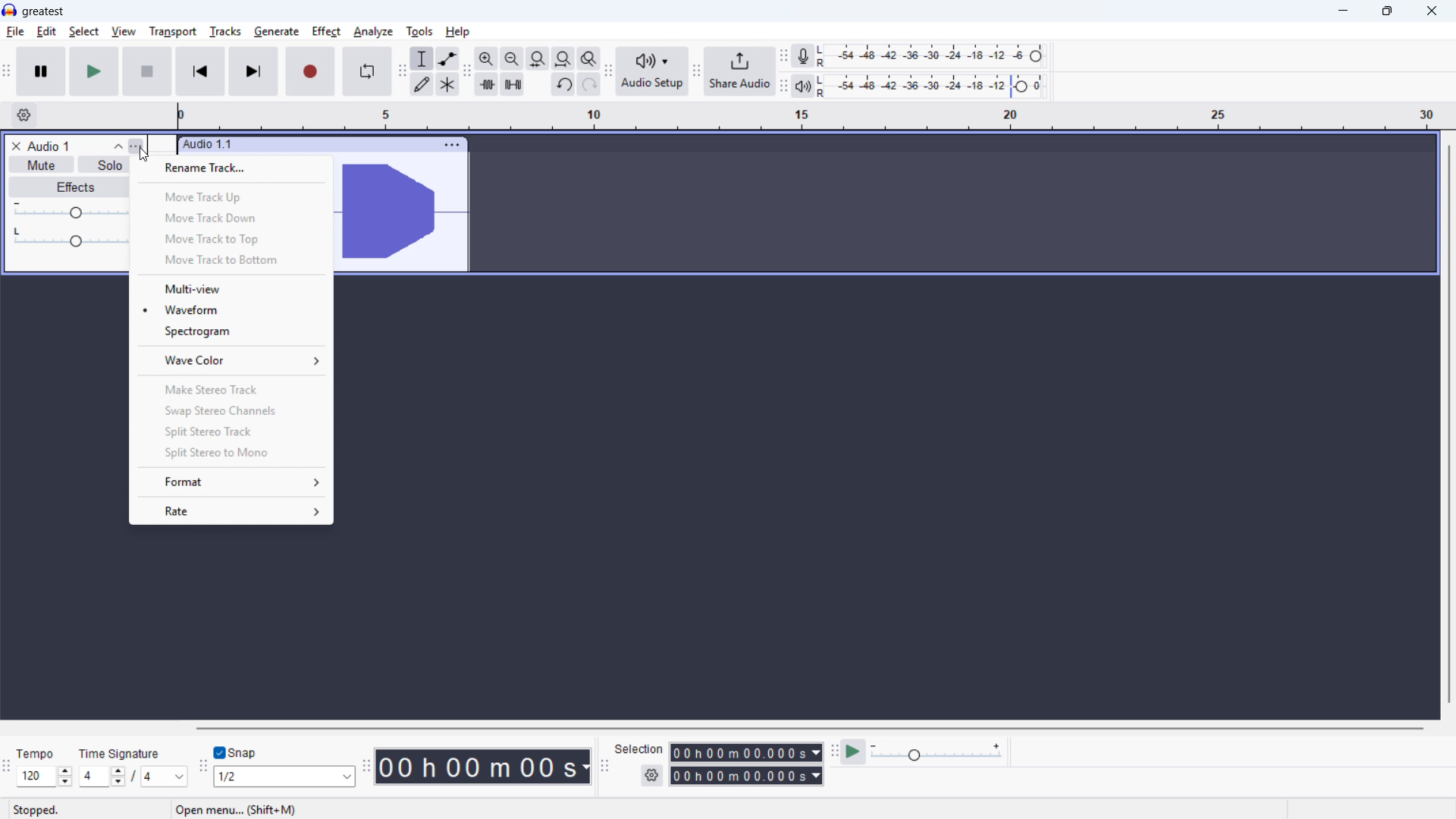 This screenshot has width=1456, height=819. I want to click on logo, so click(9, 9).